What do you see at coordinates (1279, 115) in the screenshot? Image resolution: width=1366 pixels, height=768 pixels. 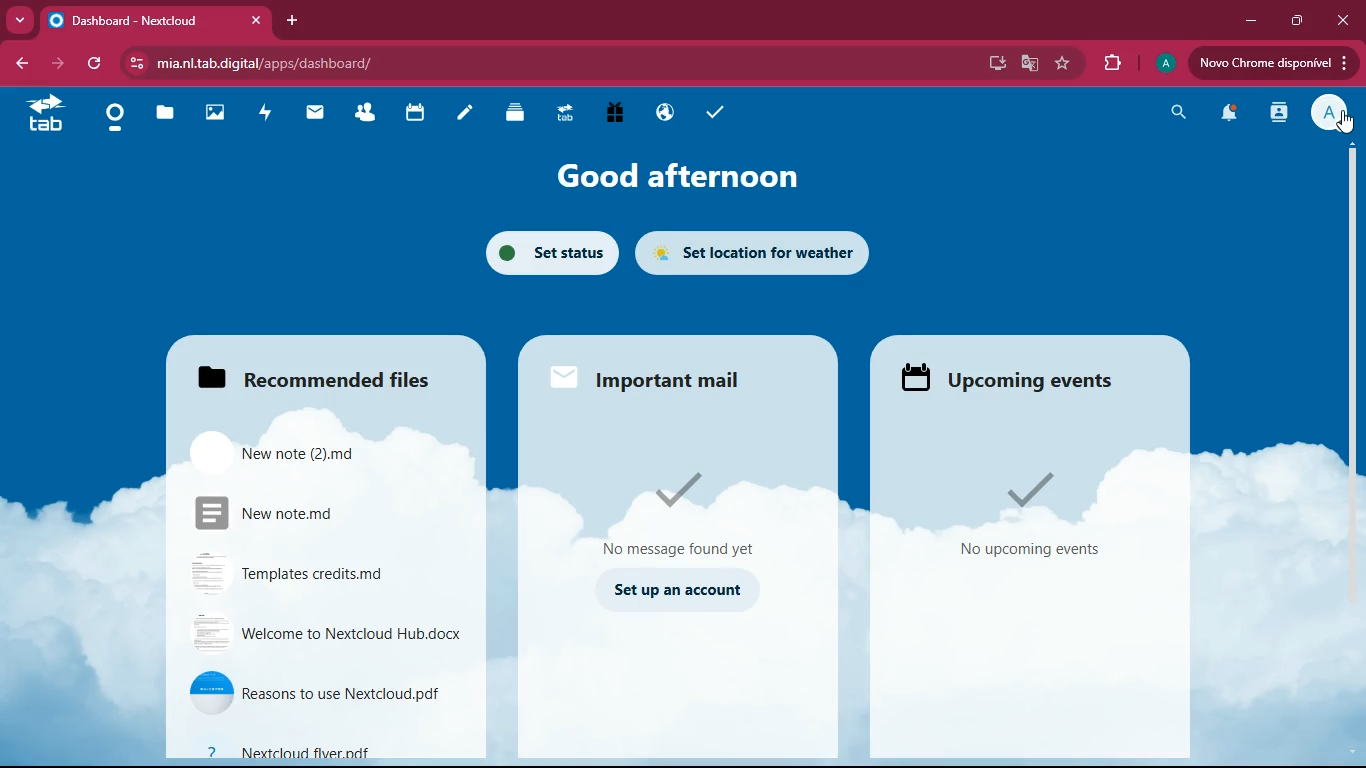 I see `activity` at bounding box center [1279, 115].